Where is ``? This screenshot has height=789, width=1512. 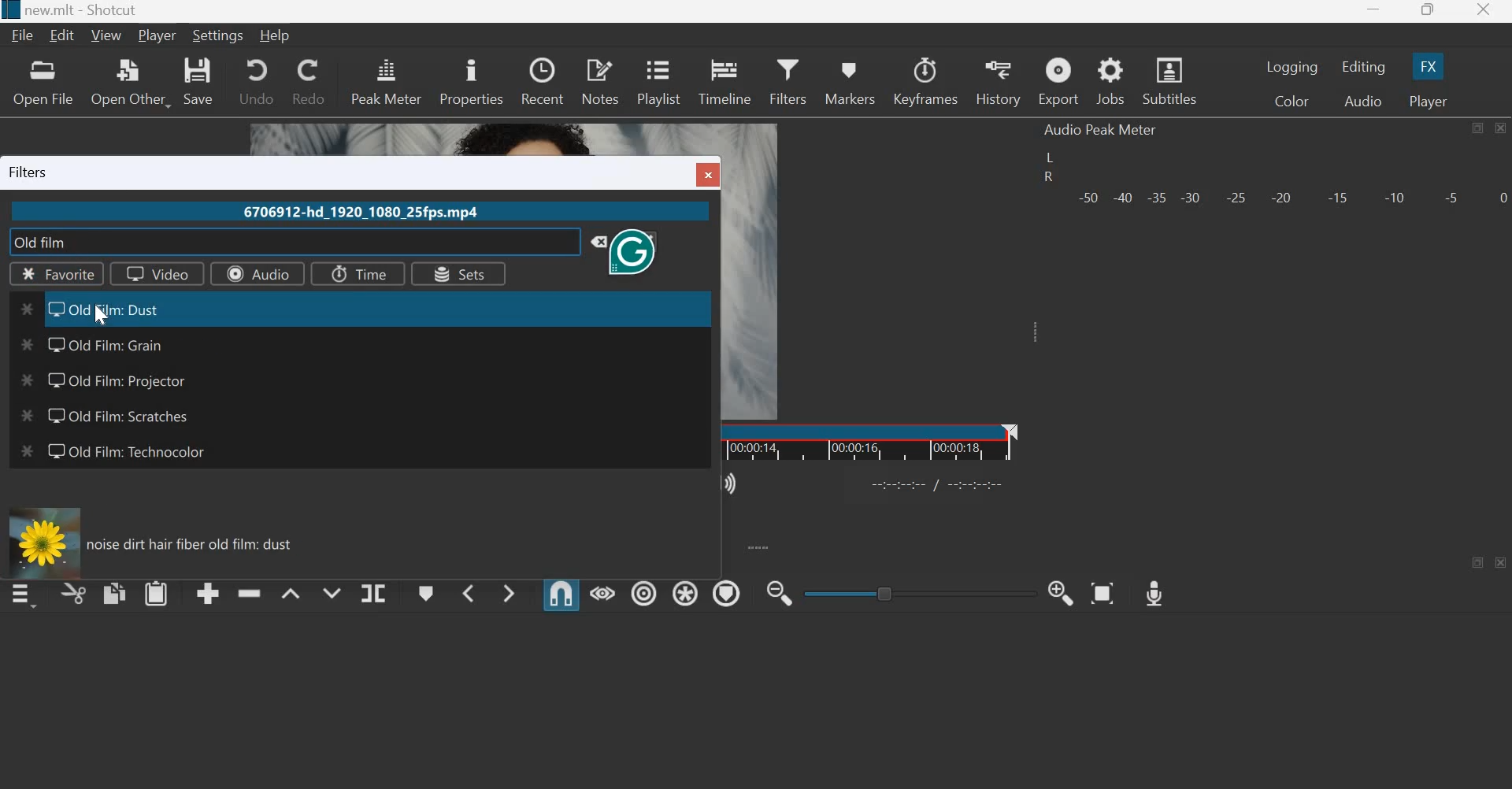
 is located at coordinates (25, 310).